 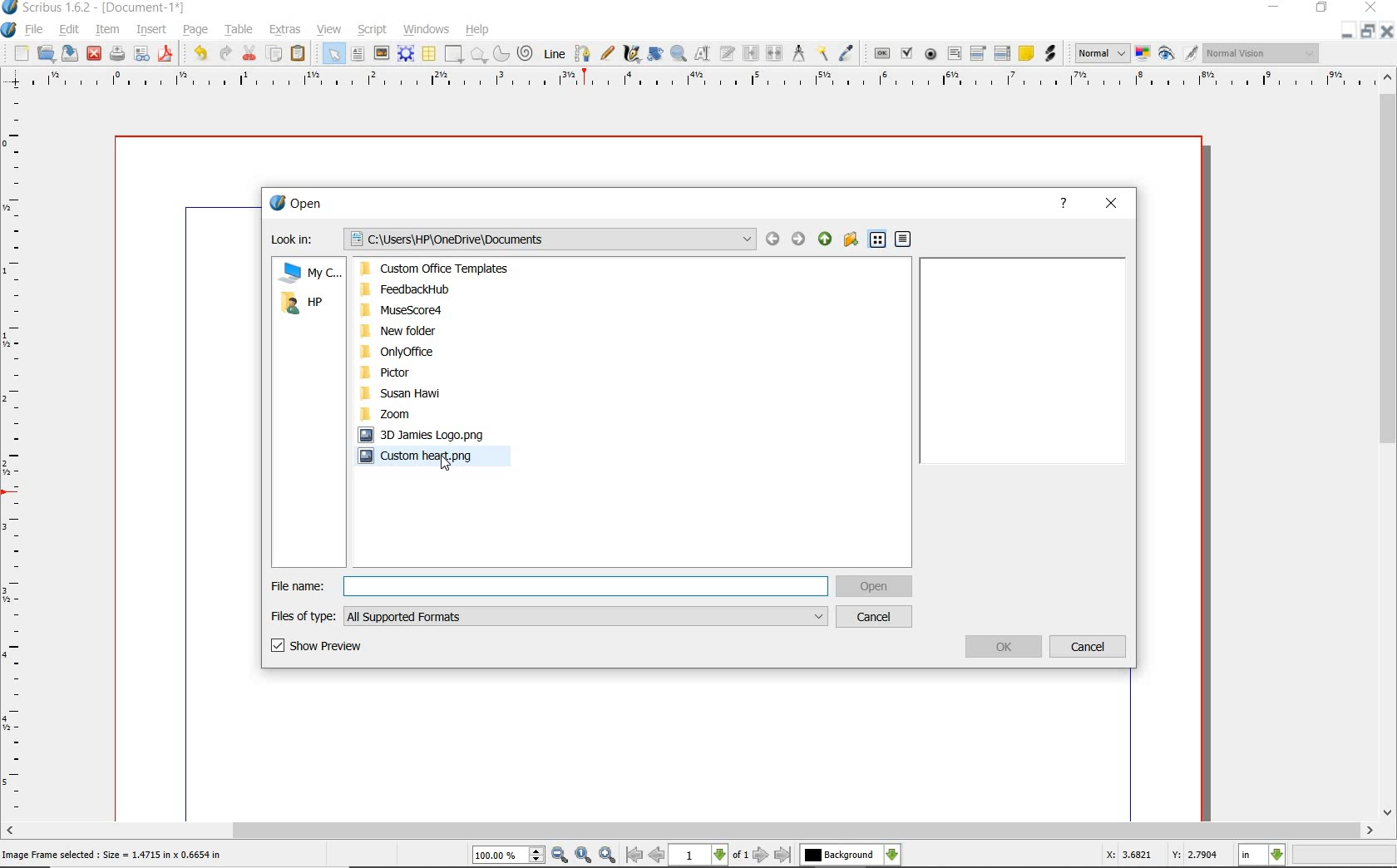 I want to click on files of type, so click(x=550, y=615).